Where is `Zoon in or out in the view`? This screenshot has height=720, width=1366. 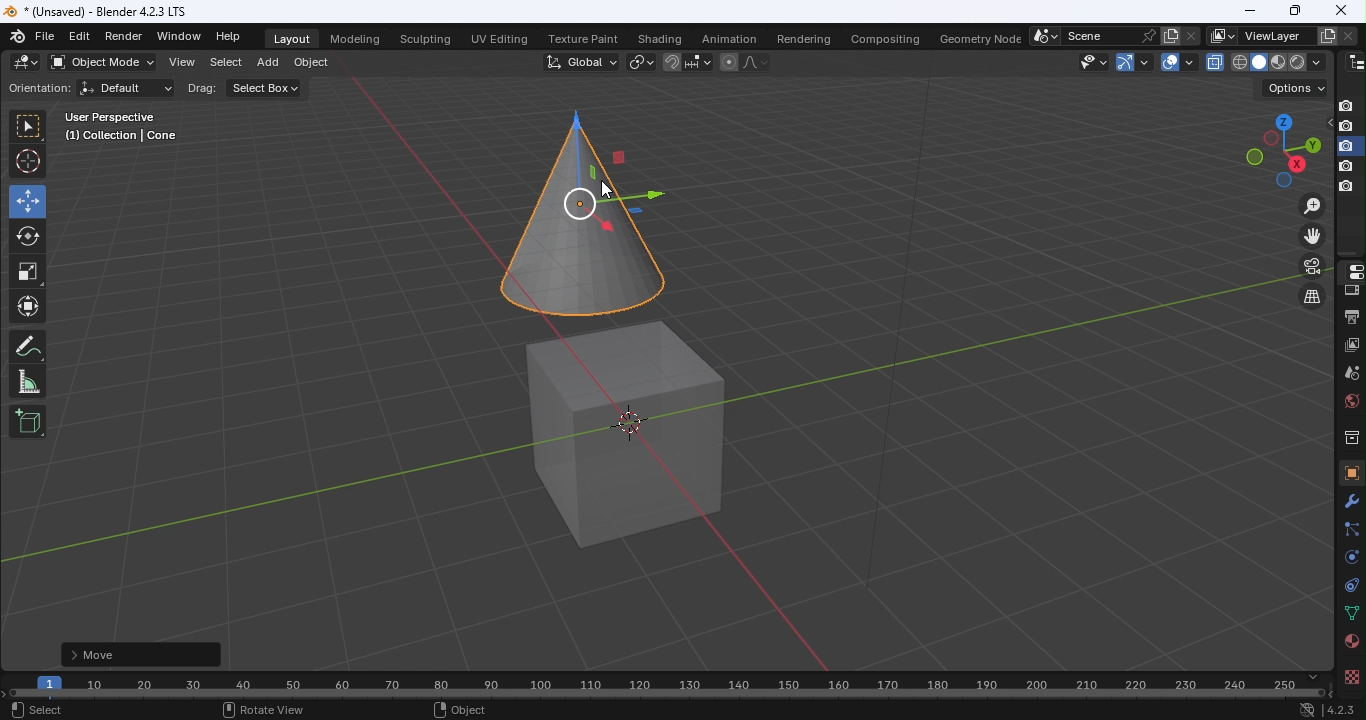
Zoon in or out in the view is located at coordinates (1311, 205).